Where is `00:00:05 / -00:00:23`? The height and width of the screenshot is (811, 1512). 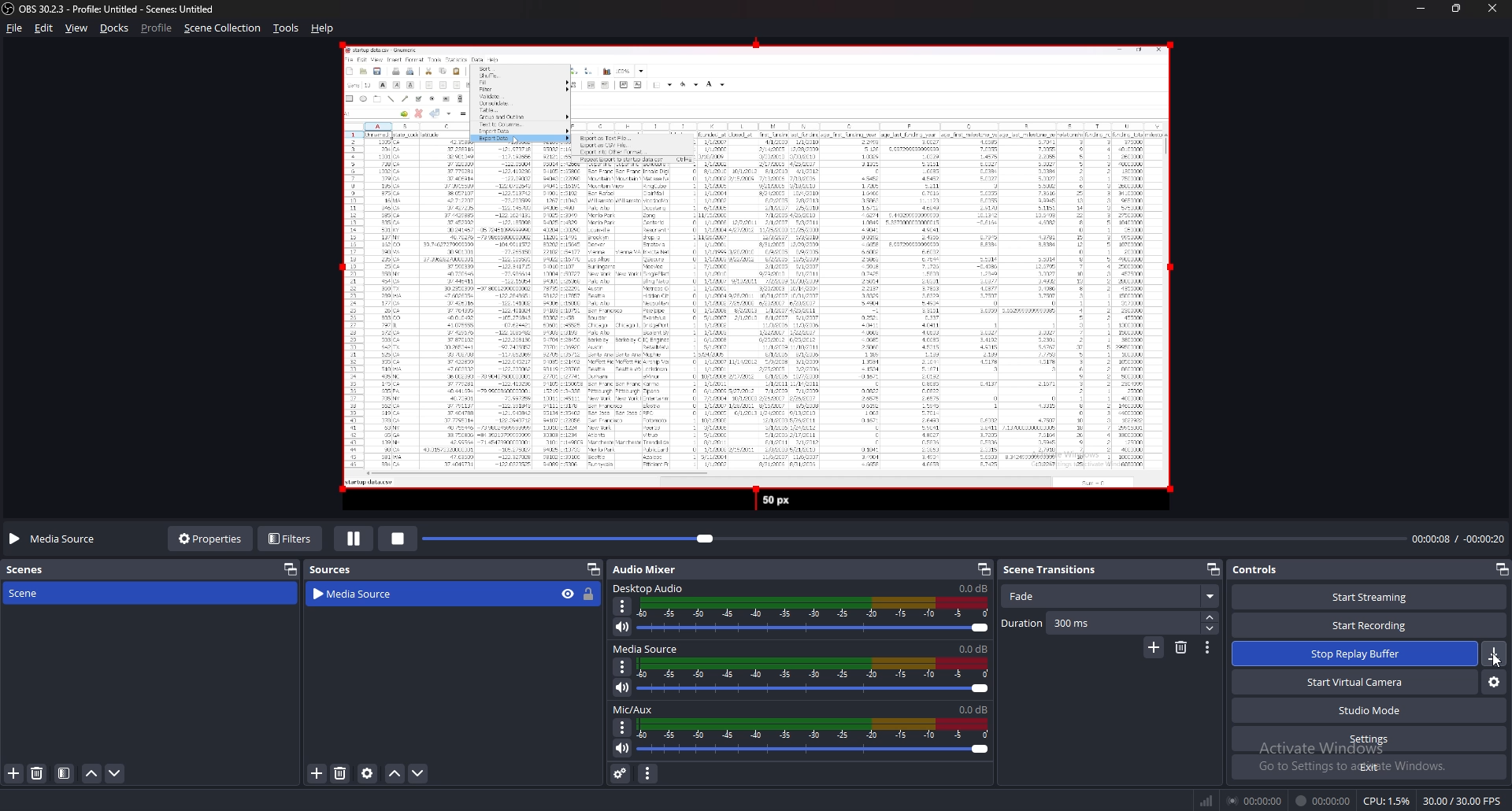 00:00:05 / -00:00:23 is located at coordinates (1458, 539).